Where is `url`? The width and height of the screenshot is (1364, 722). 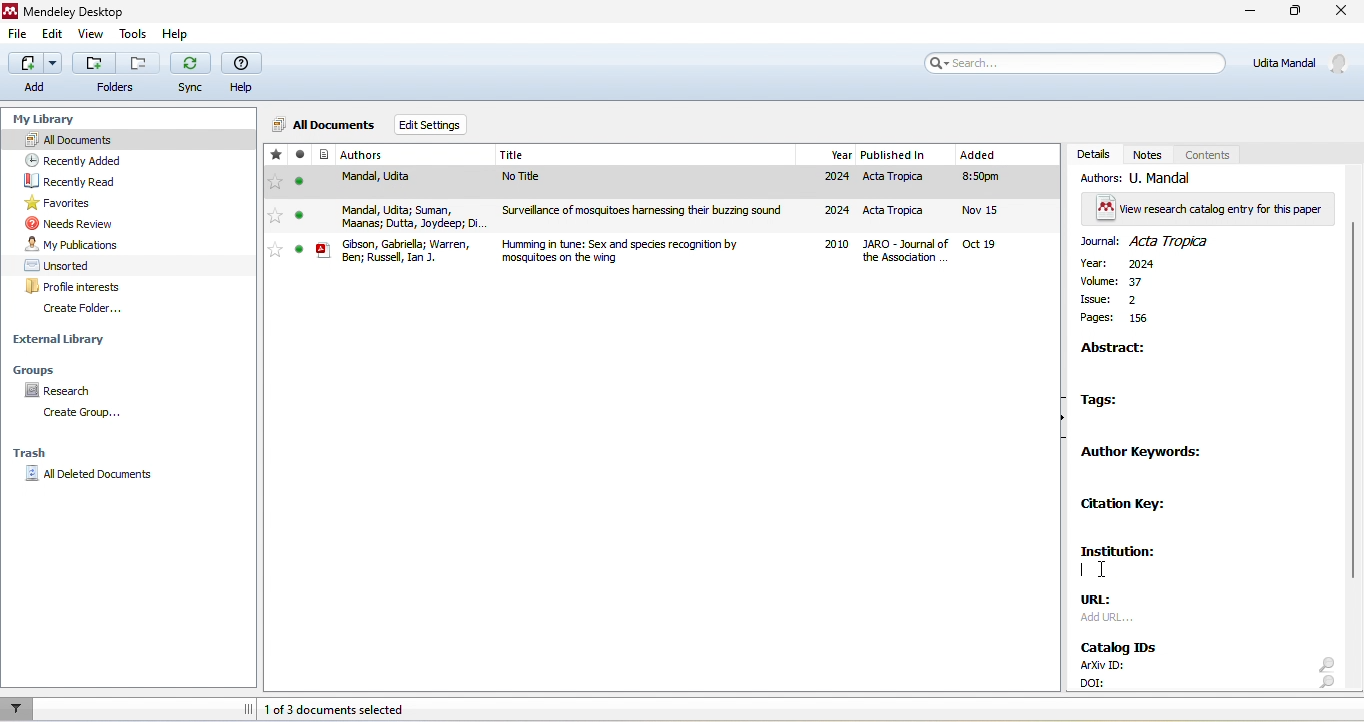 url is located at coordinates (1106, 601).